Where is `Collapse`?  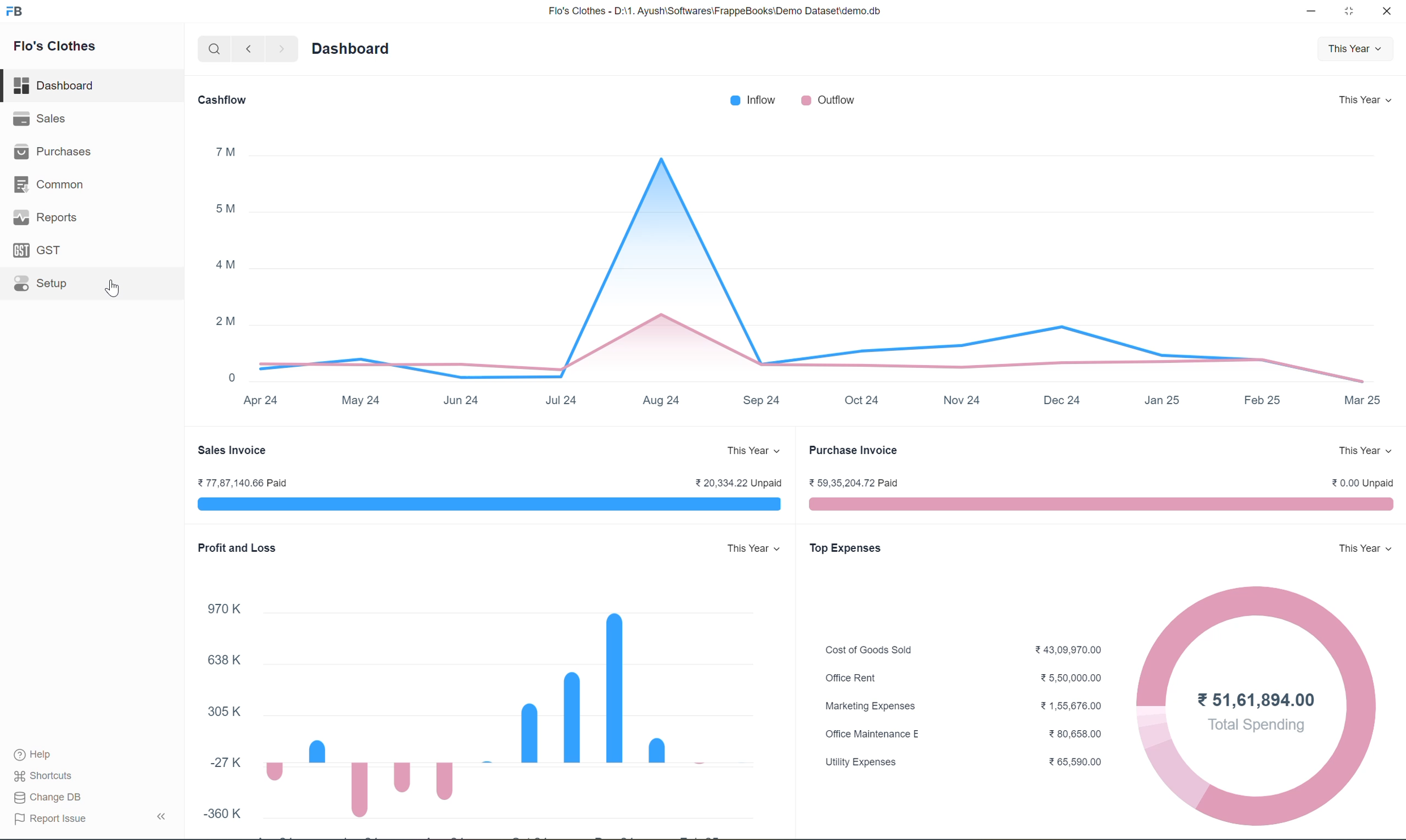 Collapse is located at coordinates (163, 815).